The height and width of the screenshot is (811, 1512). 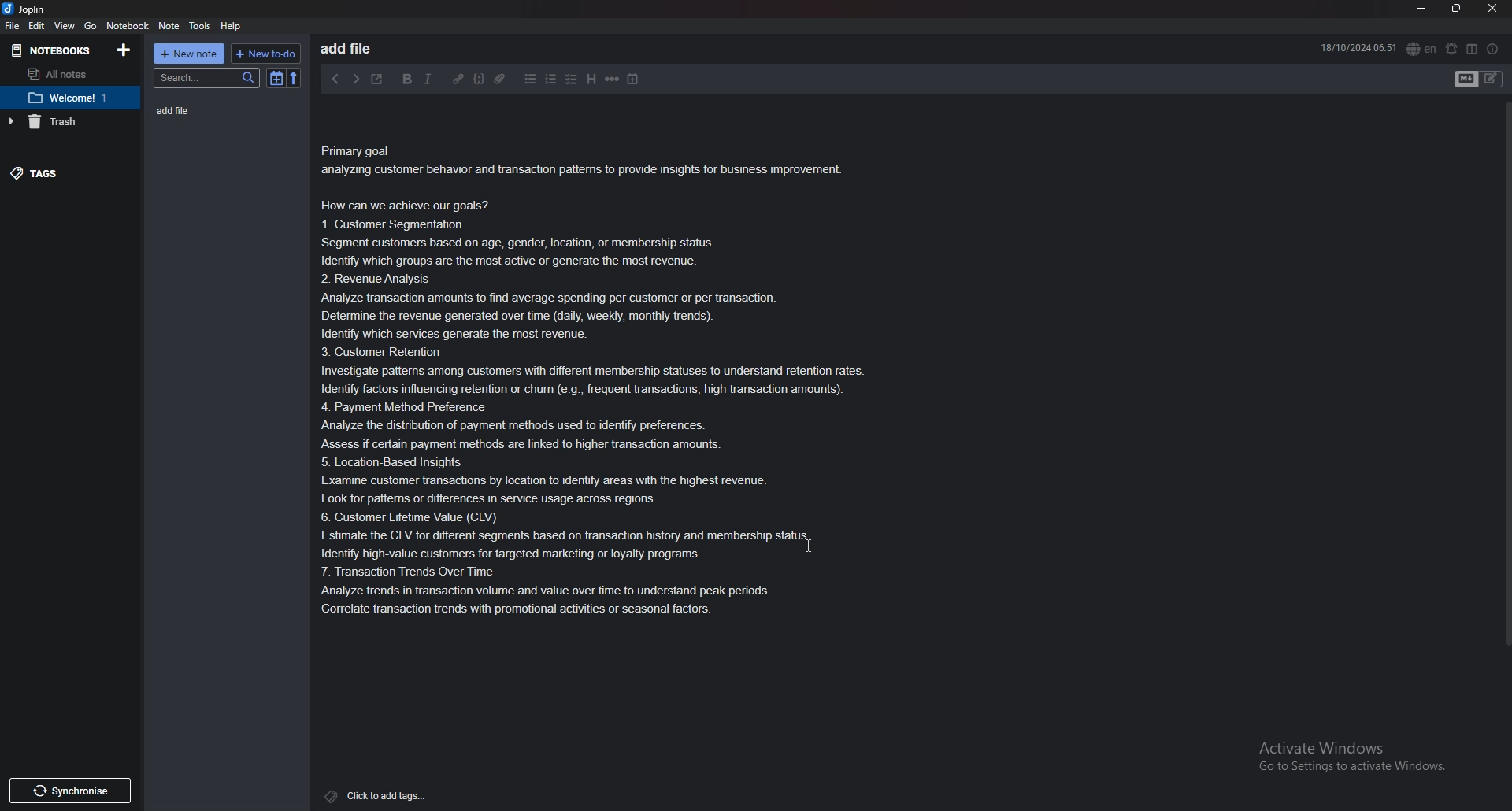 I want to click on joplin, so click(x=26, y=9).